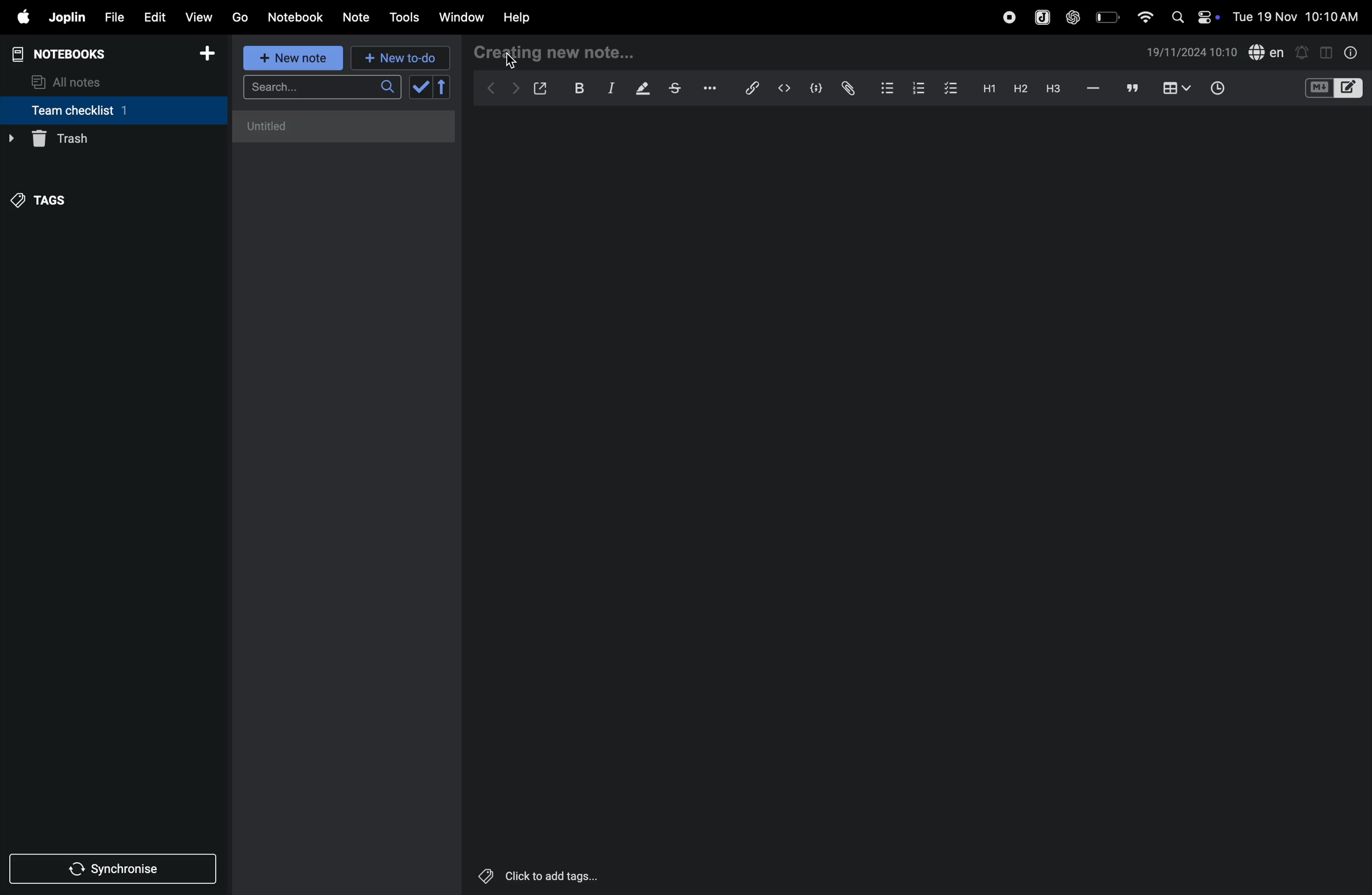 This screenshot has height=895, width=1372. I want to click on new to d0, so click(398, 58).